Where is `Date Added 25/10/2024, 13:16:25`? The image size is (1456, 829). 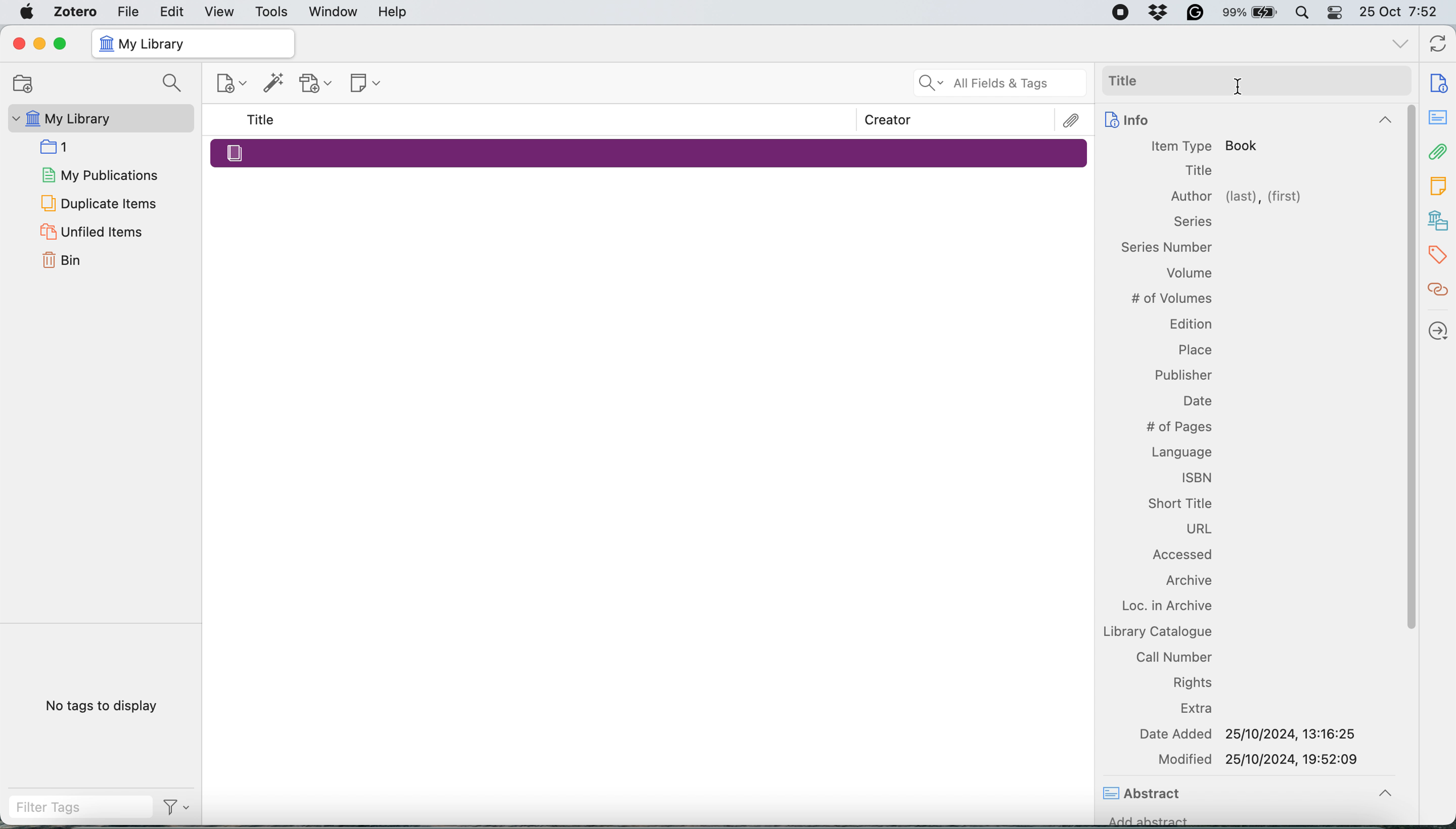 Date Added 25/10/2024, 13:16:25 is located at coordinates (1250, 732).